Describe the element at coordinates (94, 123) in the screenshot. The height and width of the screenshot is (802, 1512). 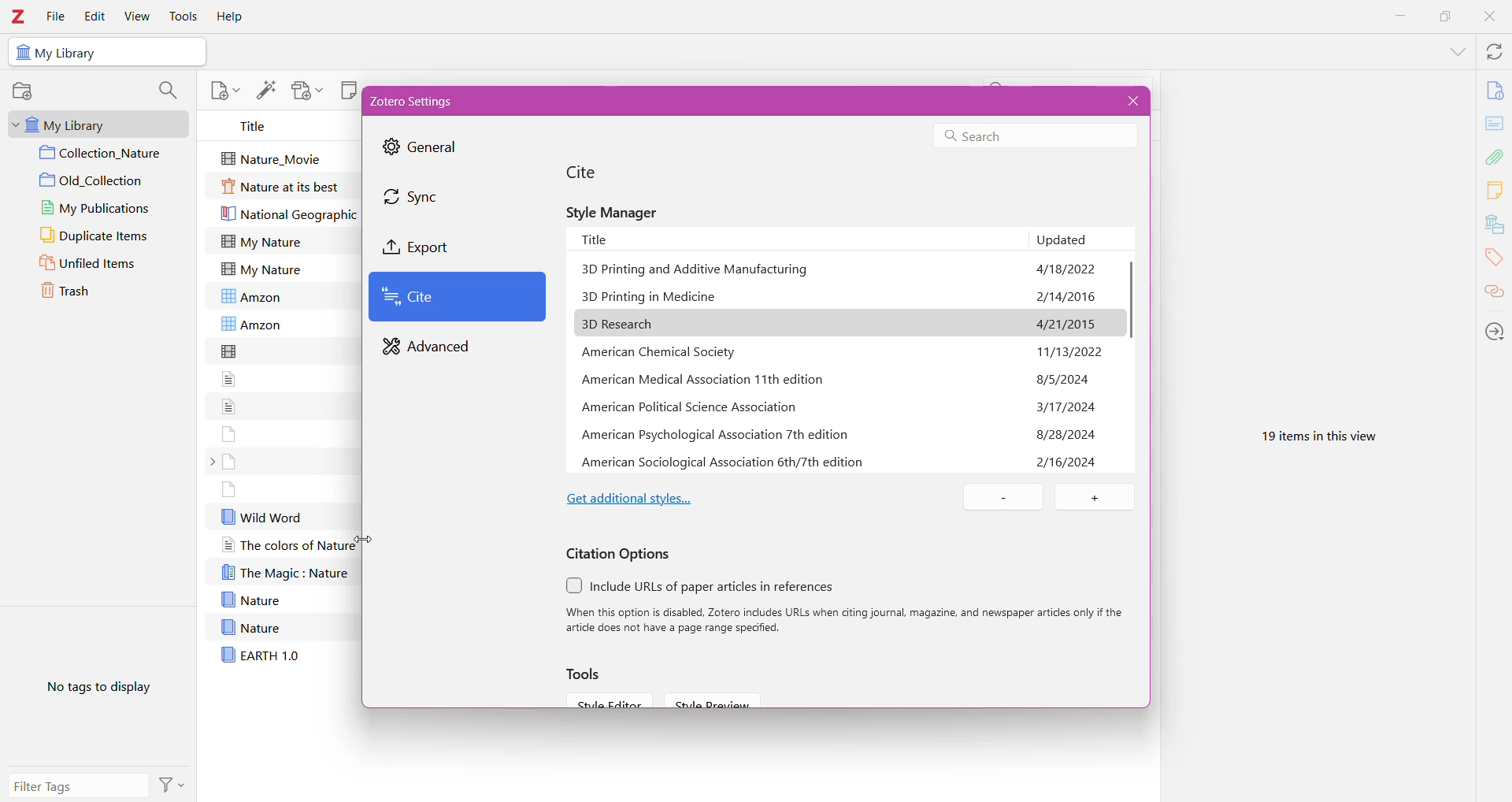
I see `My Library` at that location.